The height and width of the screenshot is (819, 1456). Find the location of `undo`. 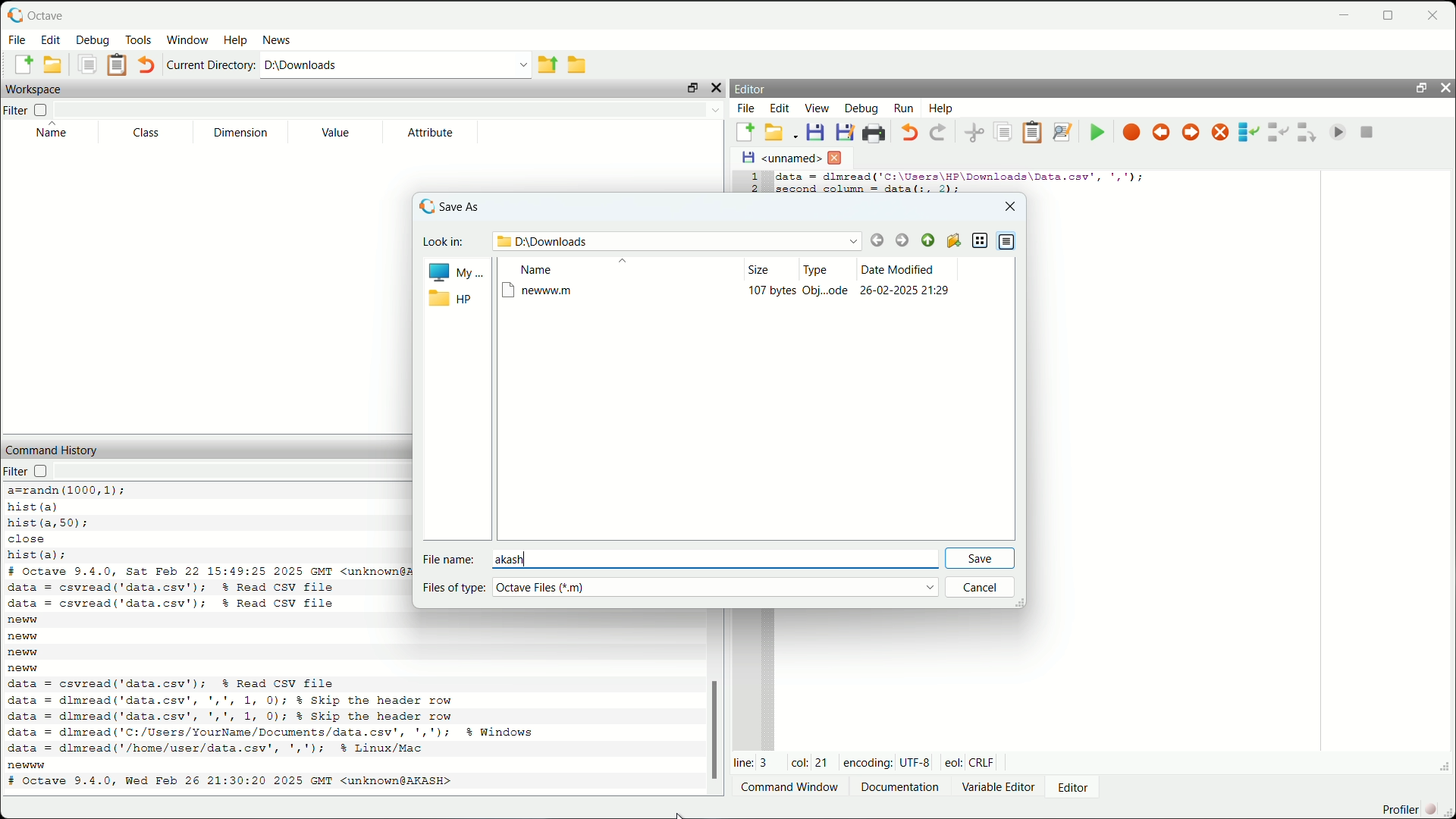

undo is located at coordinates (146, 67).